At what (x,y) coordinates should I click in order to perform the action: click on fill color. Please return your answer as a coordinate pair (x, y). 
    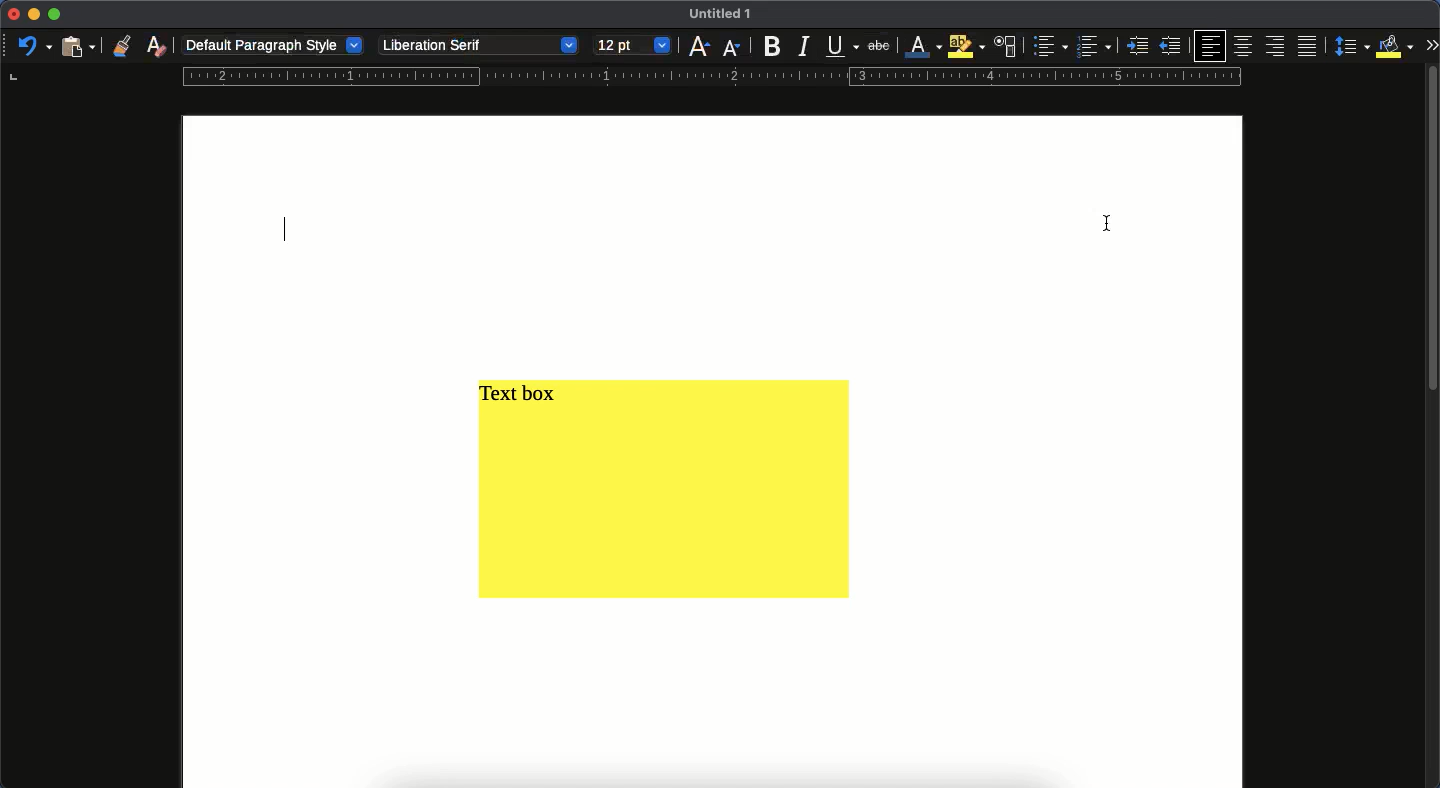
    Looking at the image, I should click on (1394, 46).